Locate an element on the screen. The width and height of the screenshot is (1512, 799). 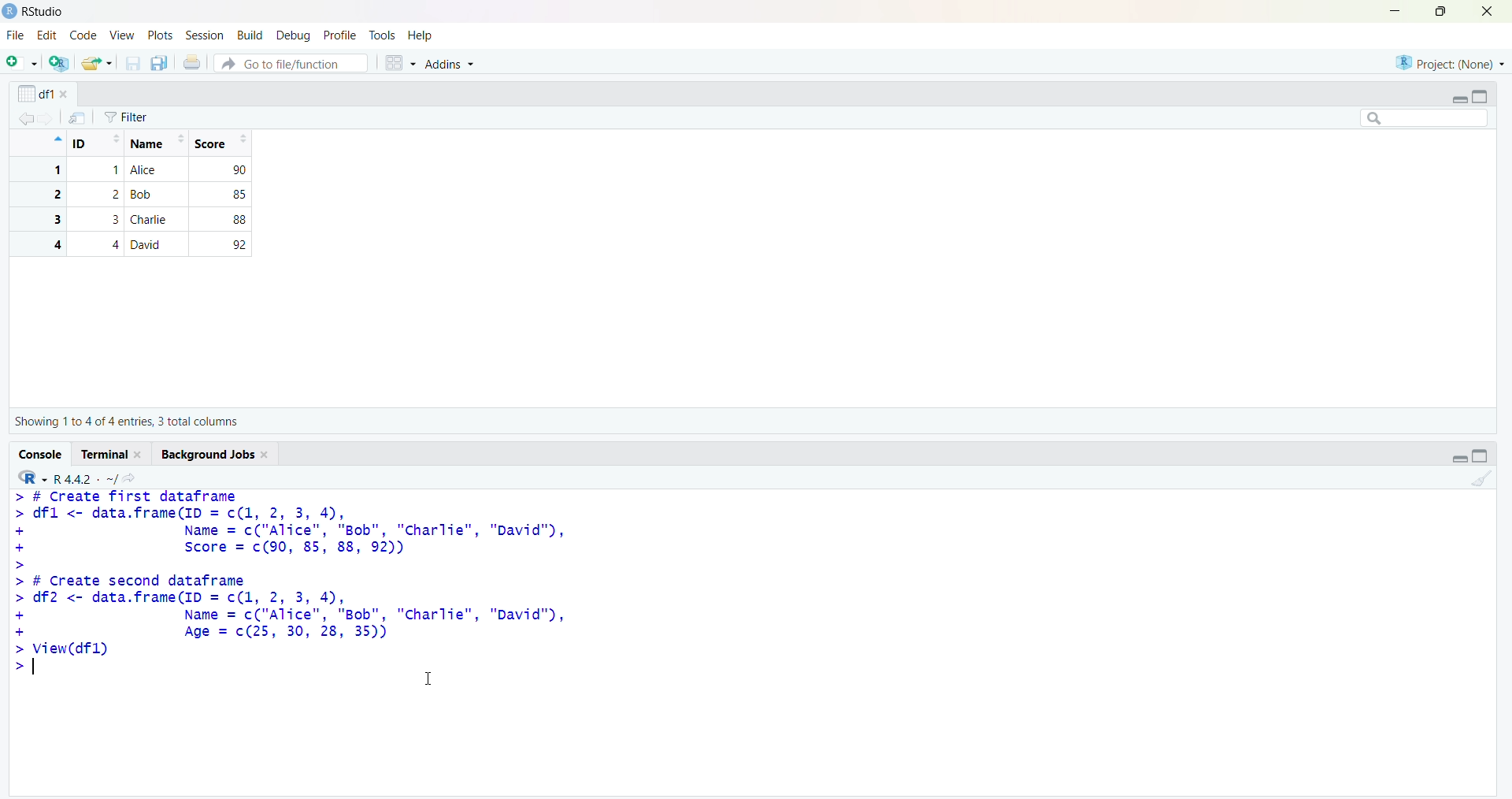
backward is located at coordinates (25, 118).